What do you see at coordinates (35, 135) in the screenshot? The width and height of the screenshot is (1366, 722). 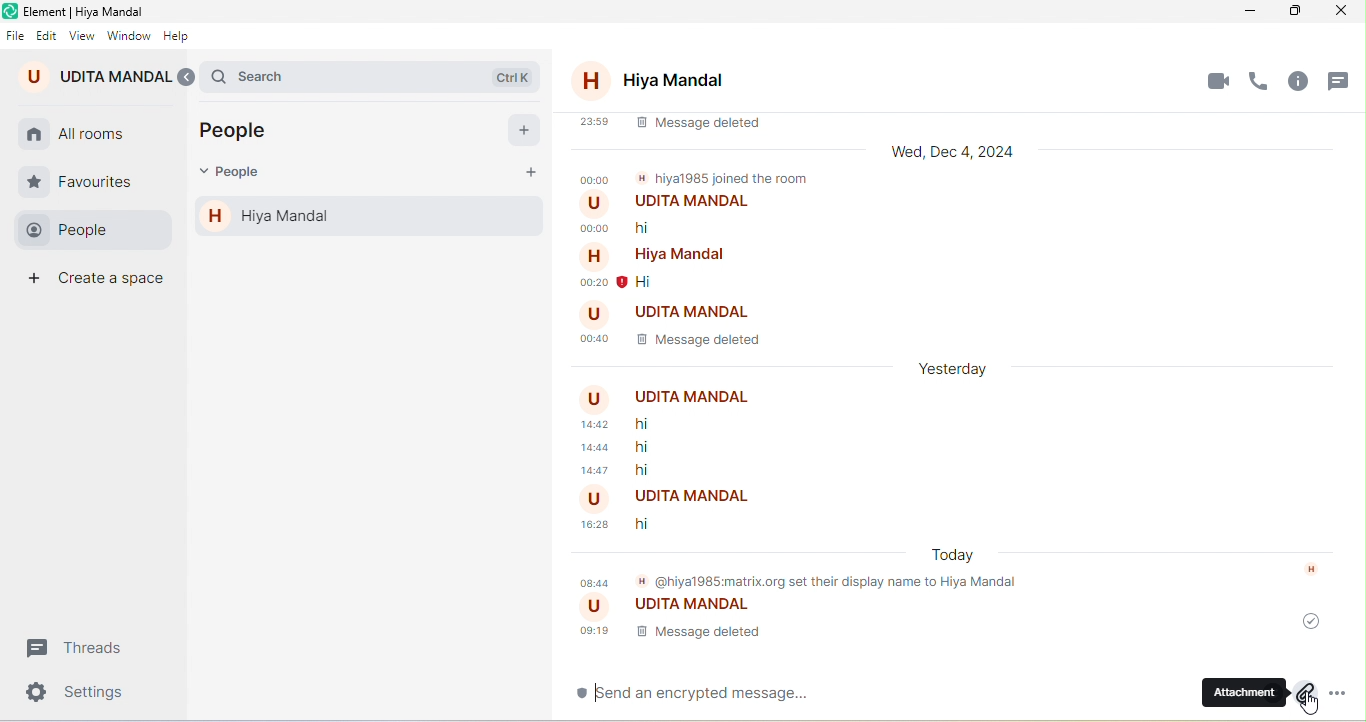 I see `home` at bounding box center [35, 135].